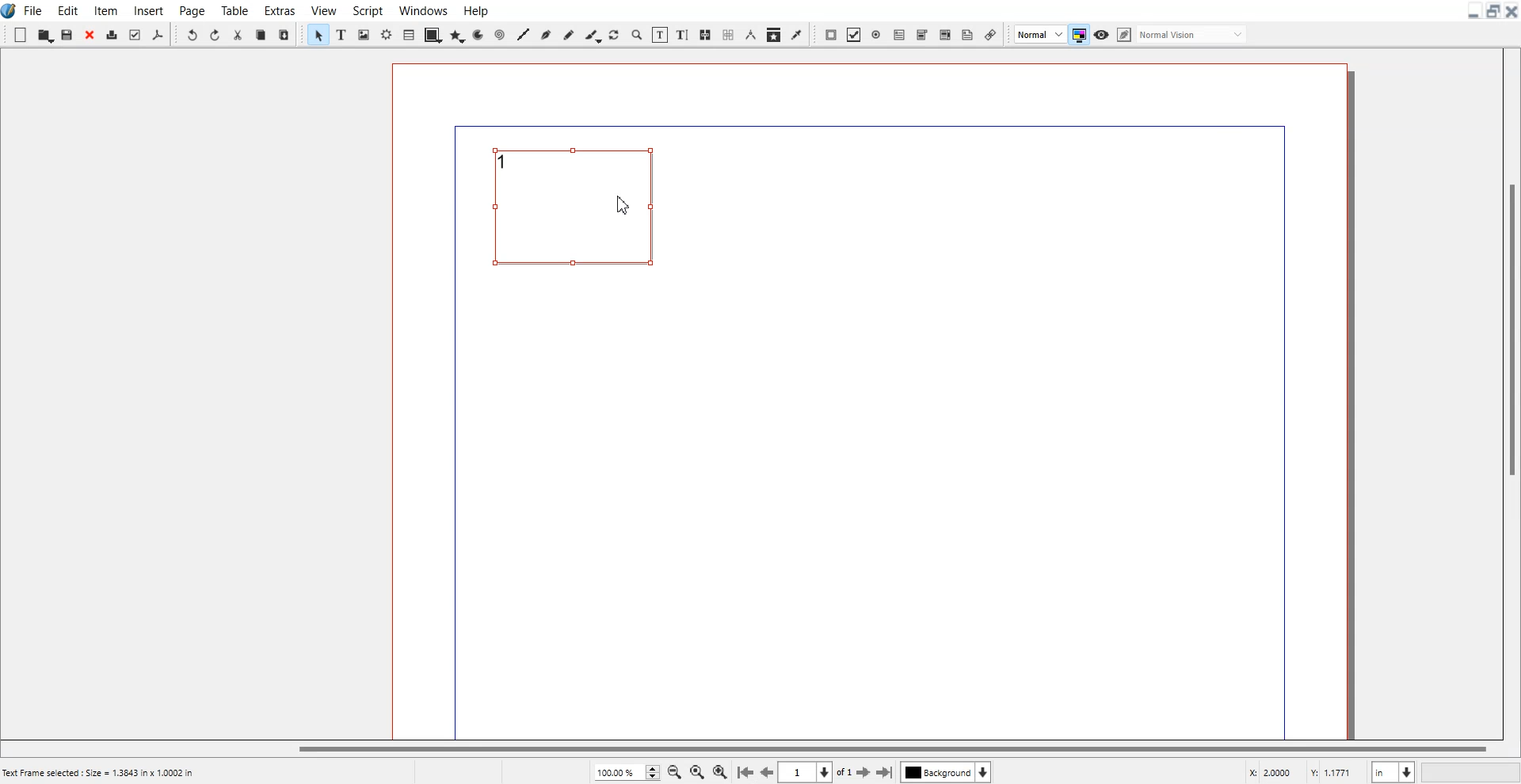  What do you see at coordinates (522, 34) in the screenshot?
I see `Line` at bounding box center [522, 34].